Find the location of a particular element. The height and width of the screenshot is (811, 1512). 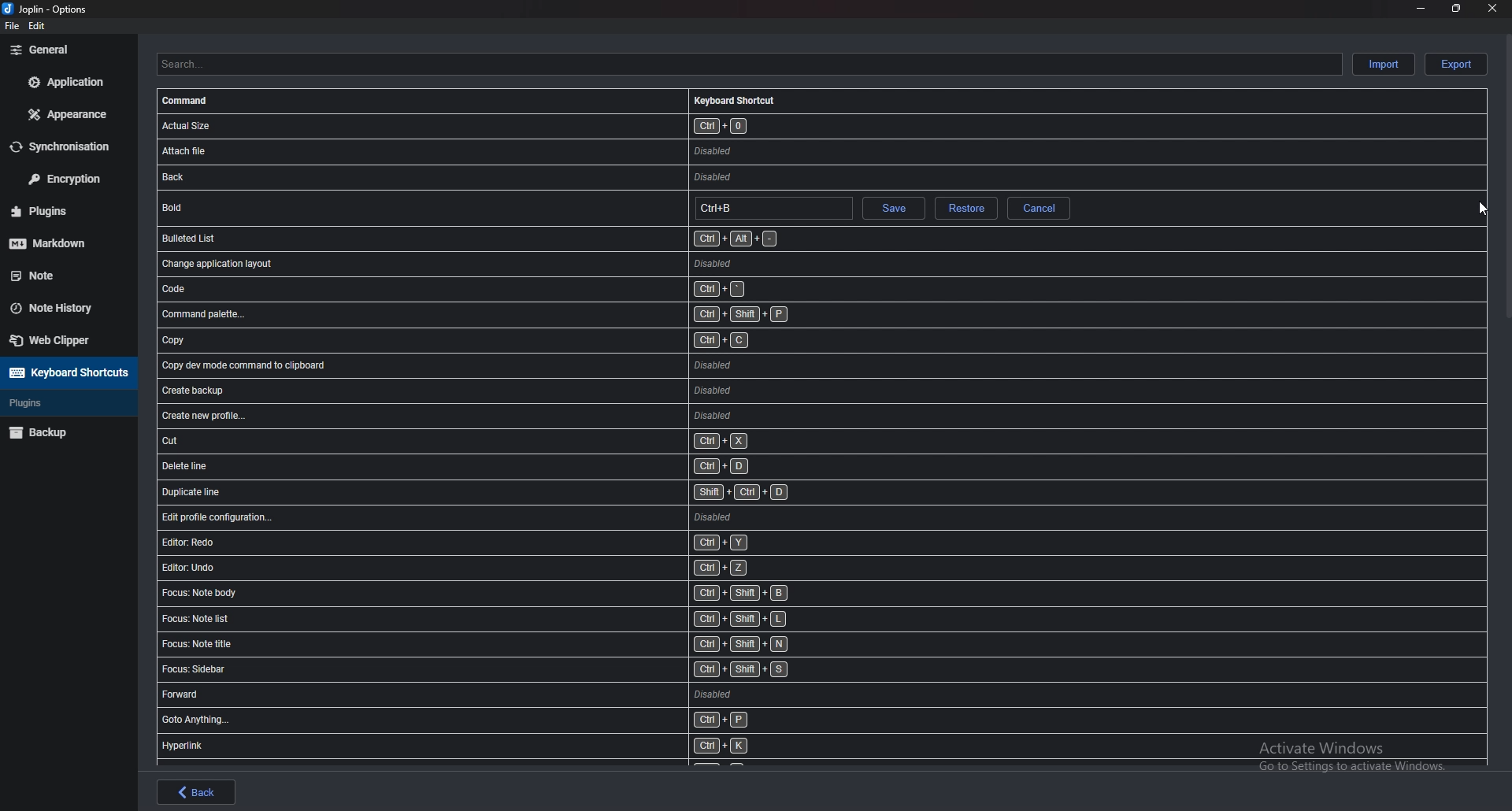

shortcut is located at coordinates (515, 567).